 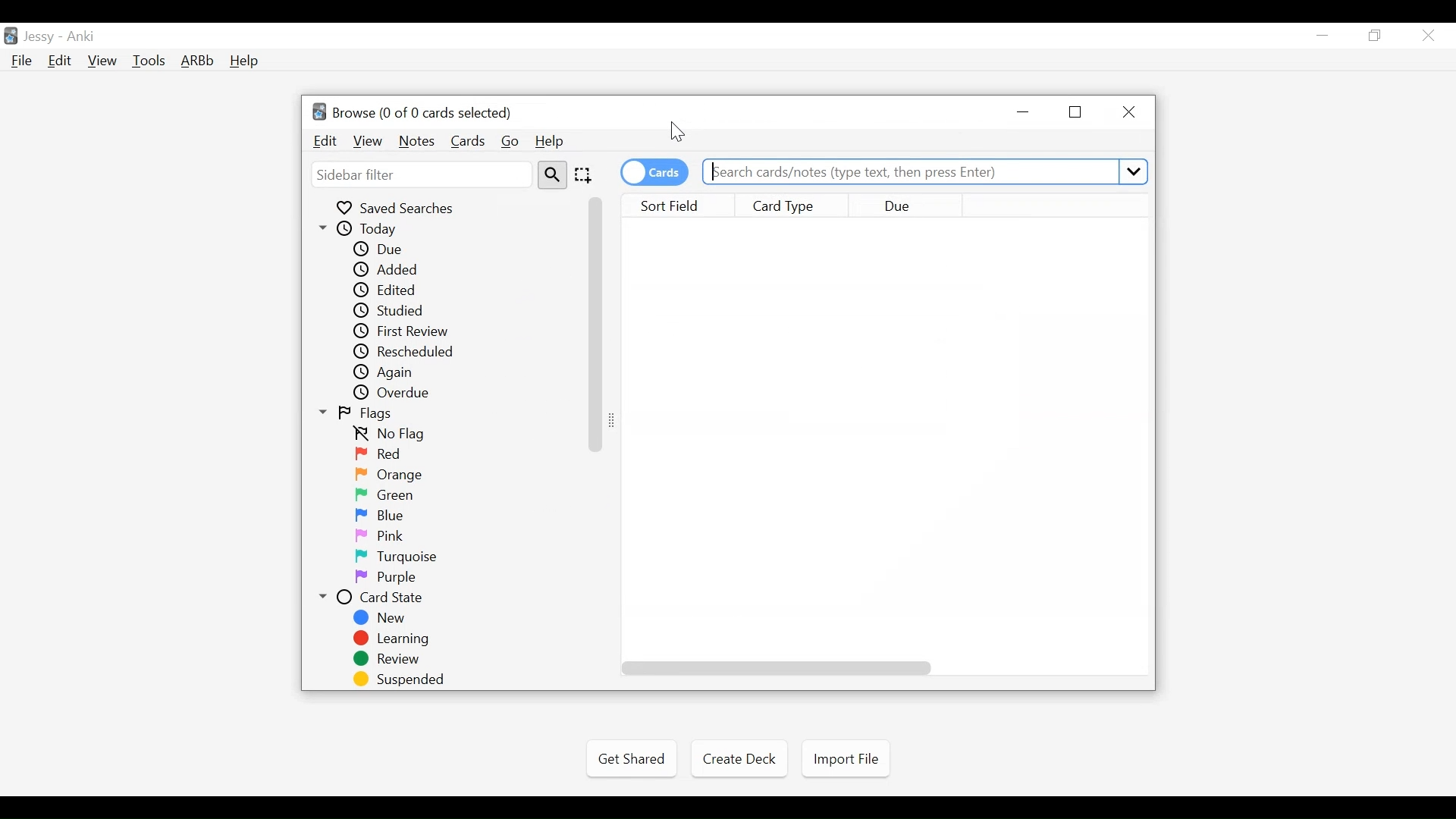 I want to click on Horizontal Scroll bar, so click(x=597, y=323).